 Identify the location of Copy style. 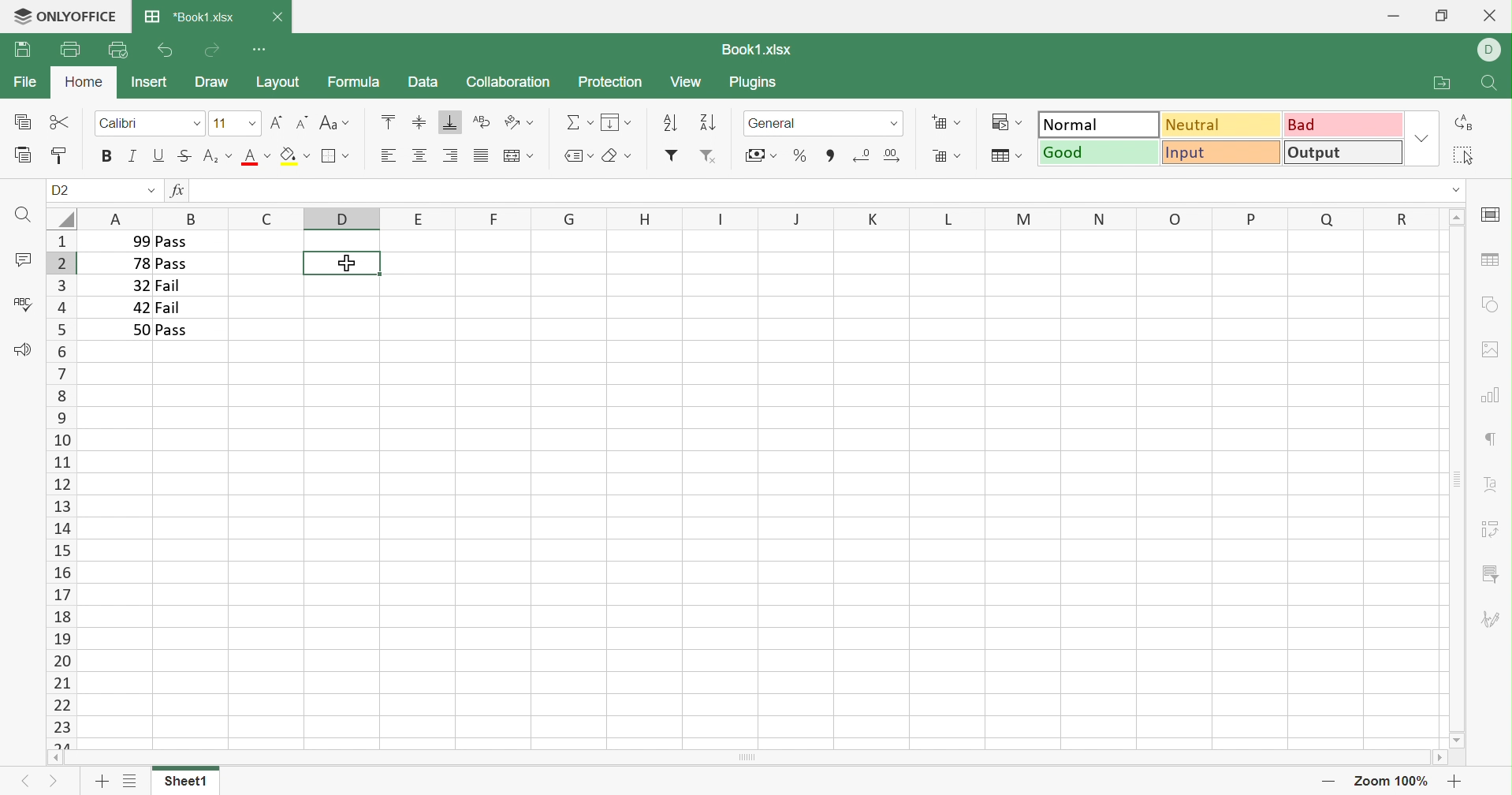
(58, 157).